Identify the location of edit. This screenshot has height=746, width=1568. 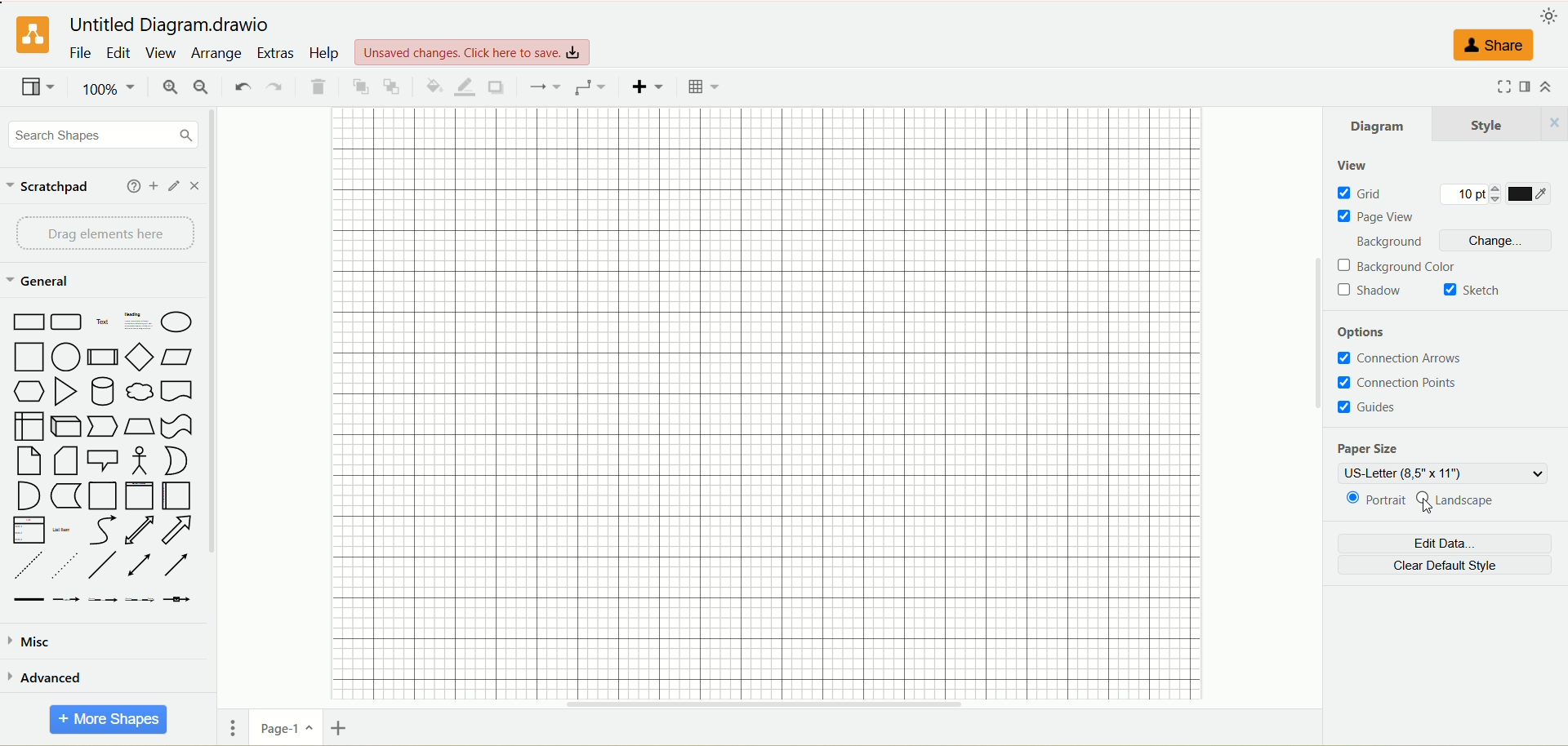
(118, 54).